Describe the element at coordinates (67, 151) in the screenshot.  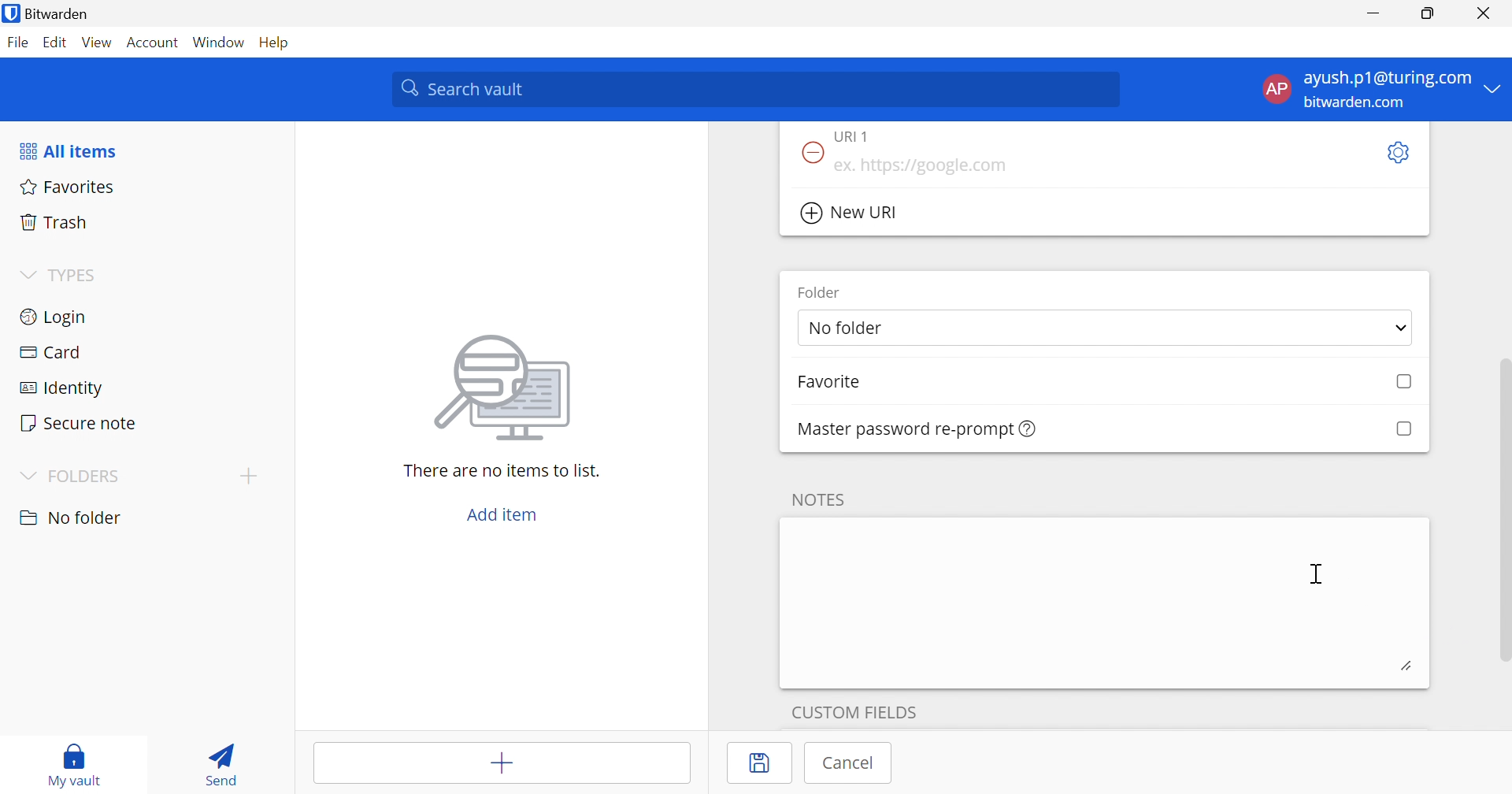
I see `All items` at that location.